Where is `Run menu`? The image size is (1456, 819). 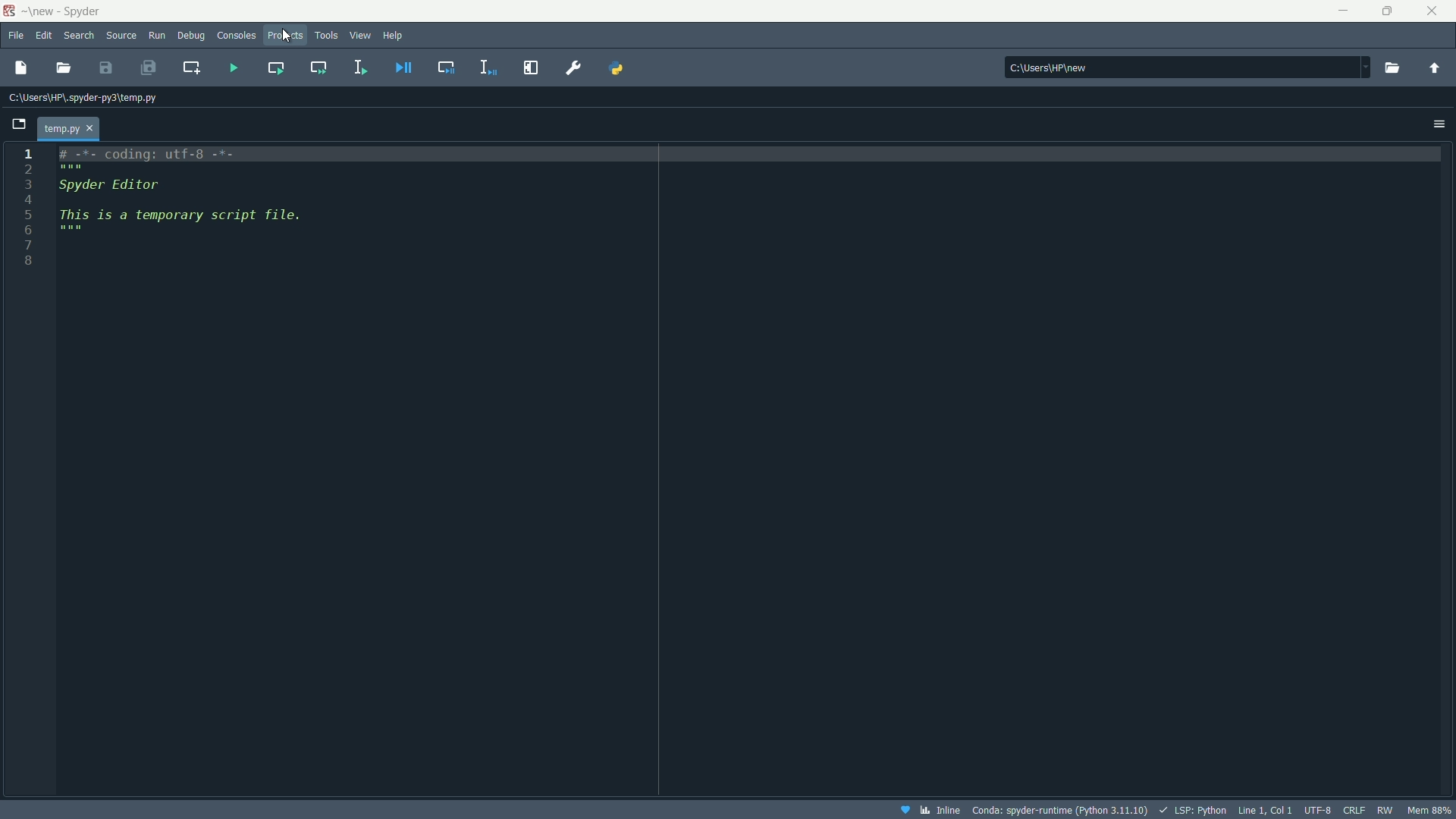 Run menu is located at coordinates (155, 35).